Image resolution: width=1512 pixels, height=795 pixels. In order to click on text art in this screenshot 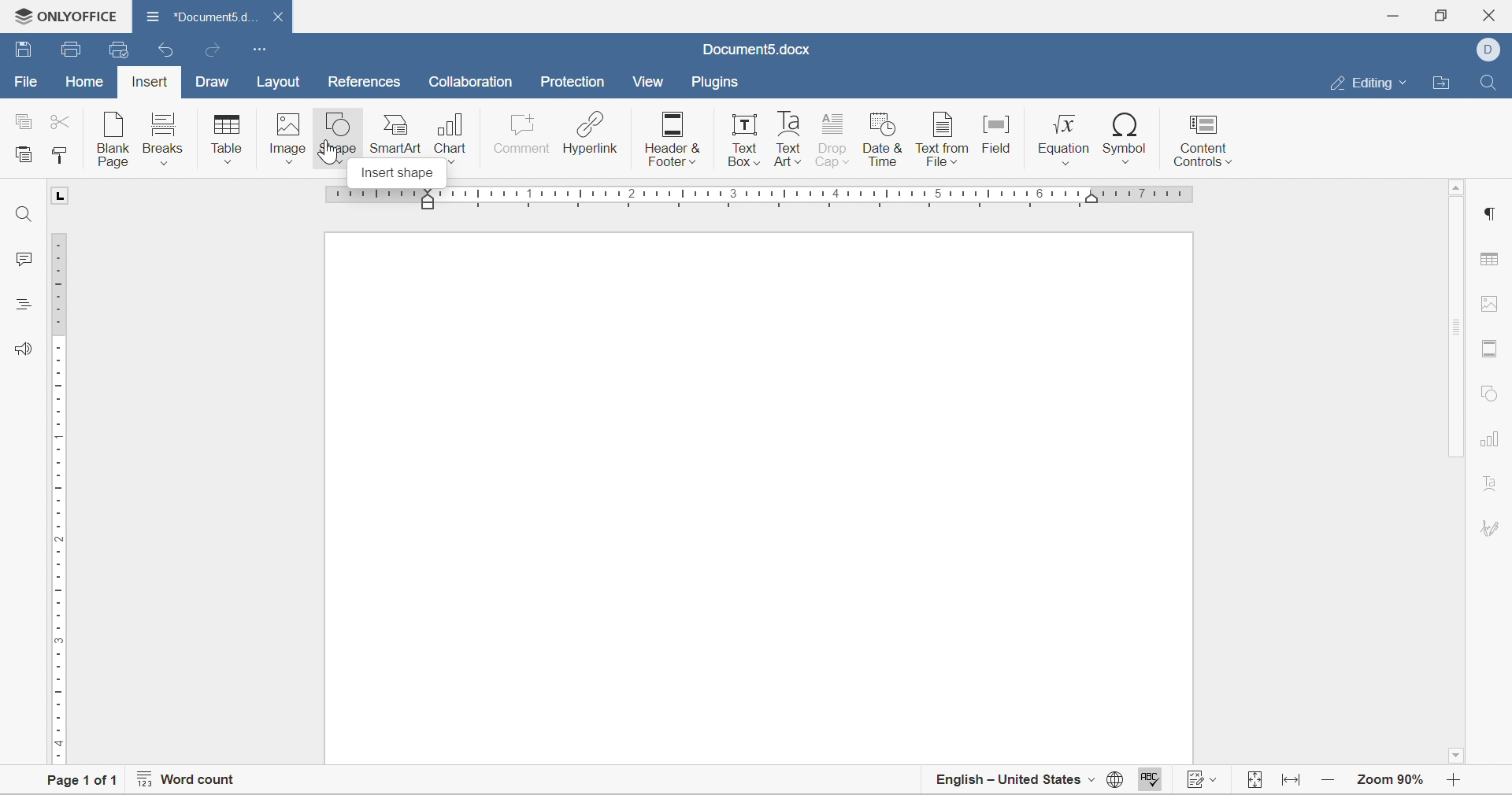, I will do `click(787, 139)`.